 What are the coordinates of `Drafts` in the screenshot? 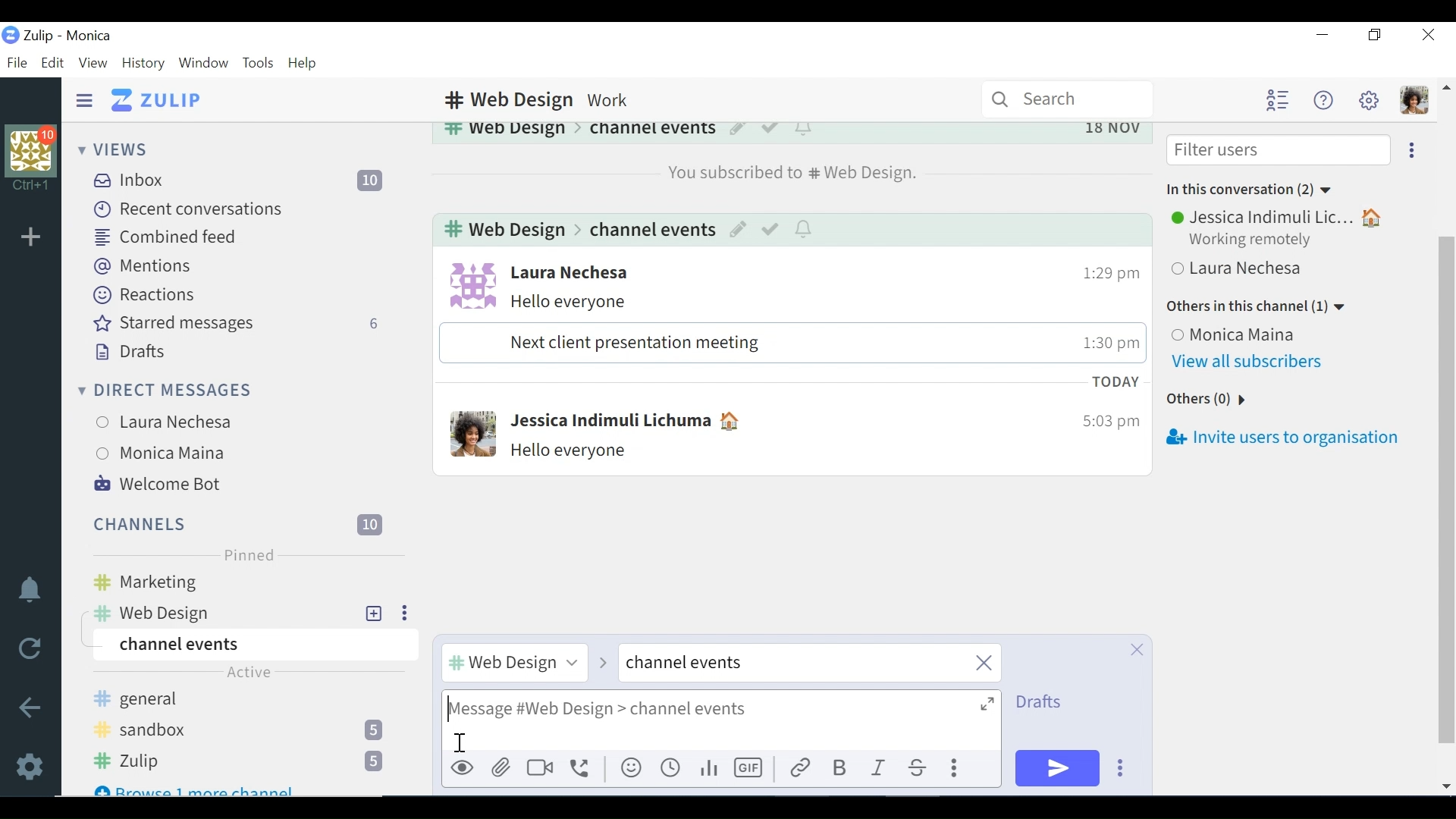 It's located at (1043, 702).